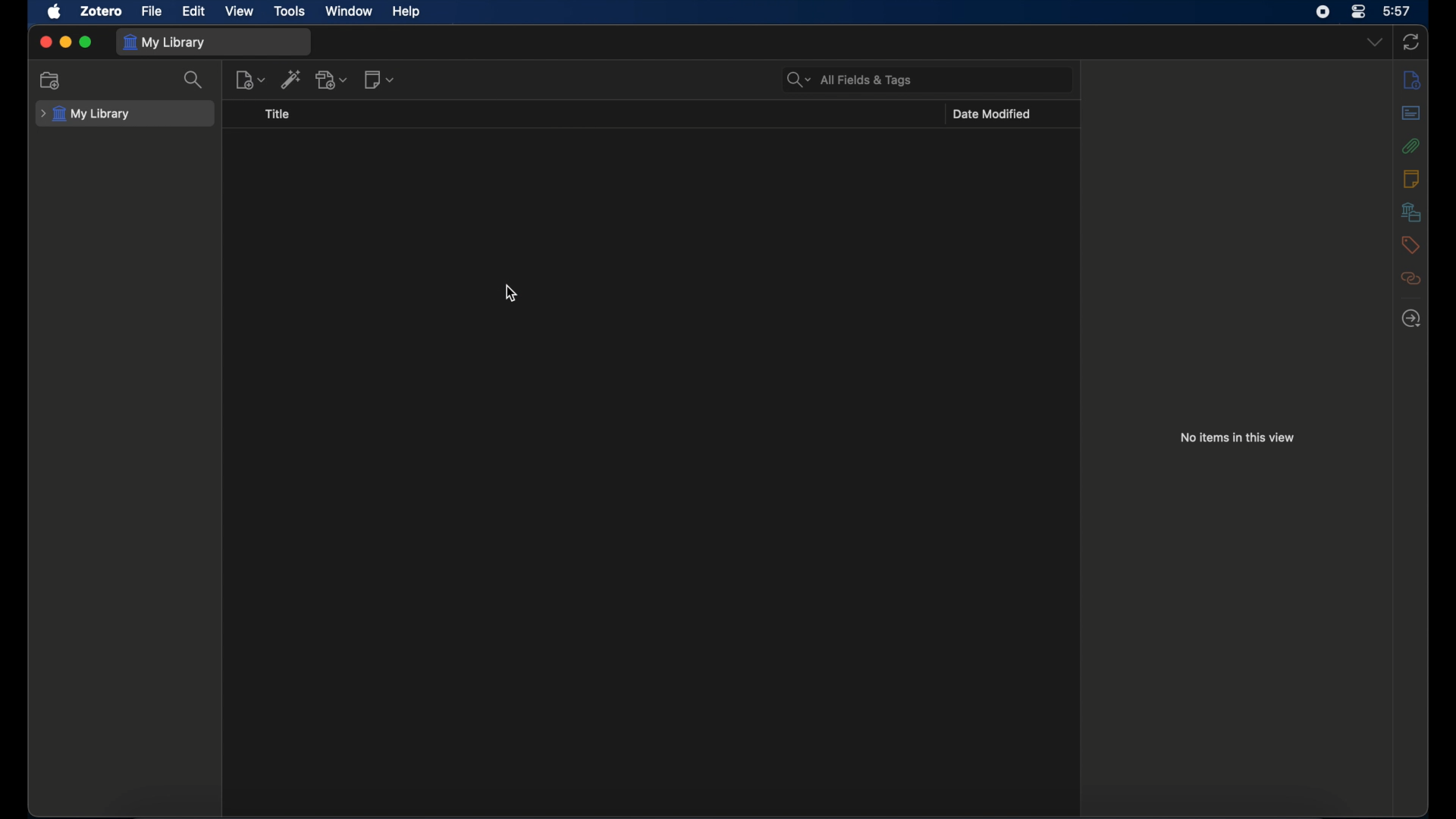 This screenshot has height=819, width=1456. Describe the element at coordinates (277, 115) in the screenshot. I see `title` at that location.